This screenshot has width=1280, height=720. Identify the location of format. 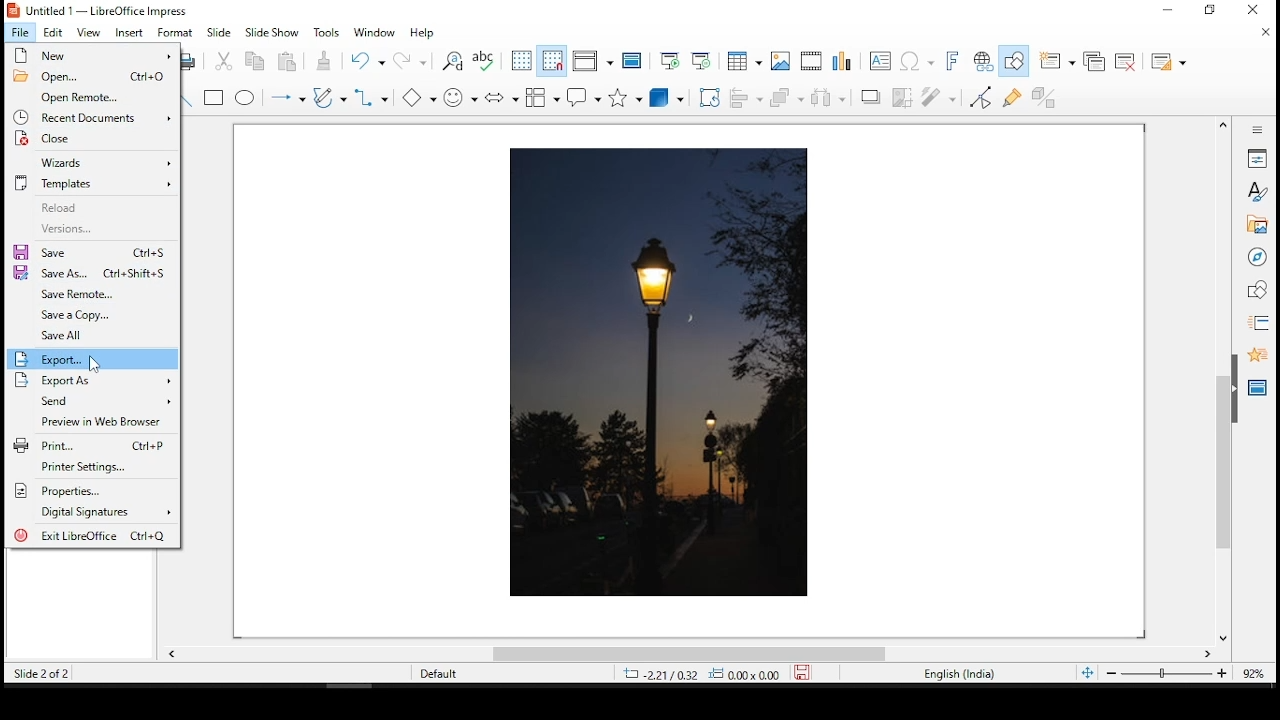
(175, 33).